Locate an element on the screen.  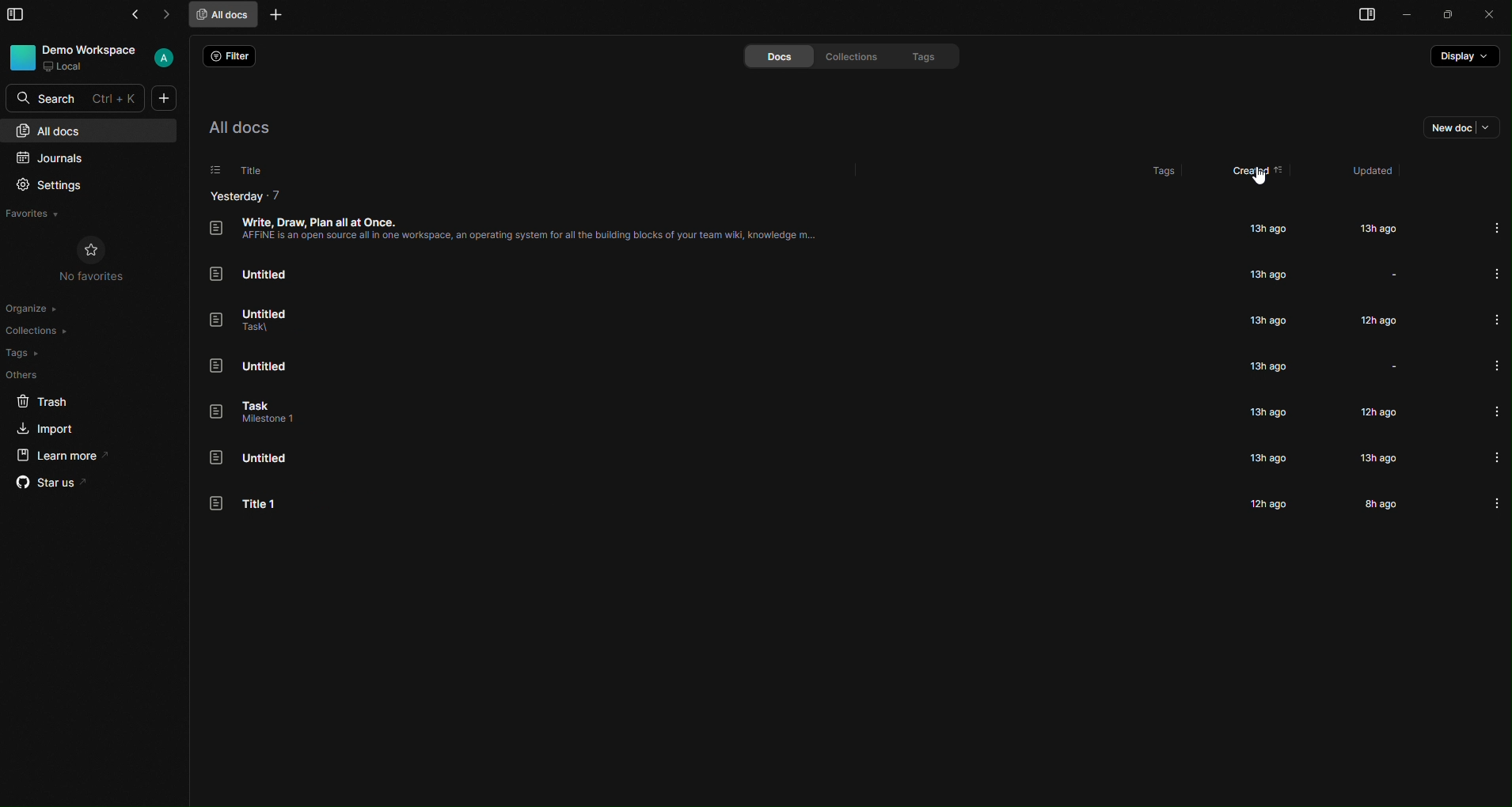
close is located at coordinates (1492, 14).